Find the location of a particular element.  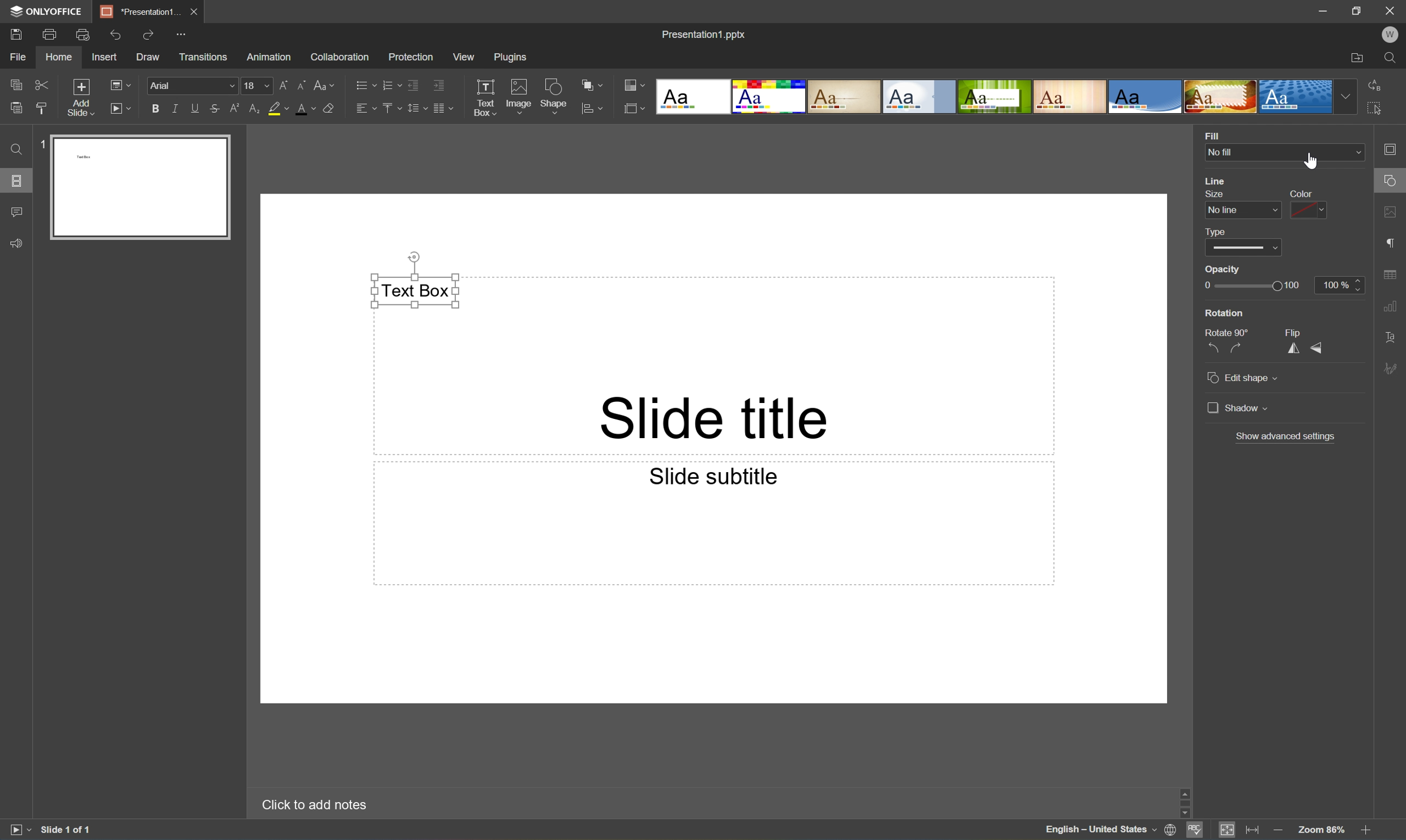

Fit to width is located at coordinates (1253, 829).